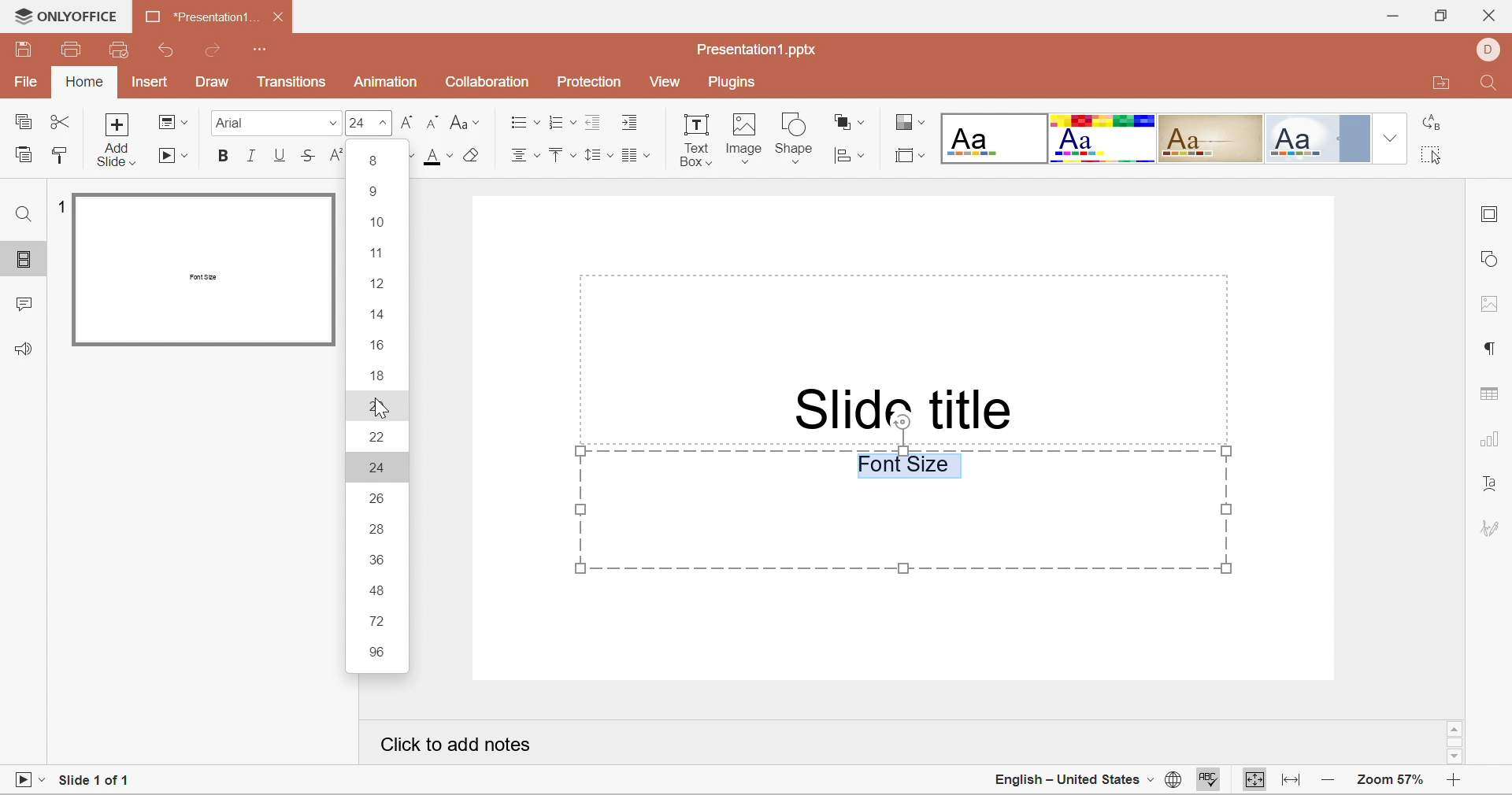 The height and width of the screenshot is (795, 1512). I want to click on Slide 1 of 1, so click(96, 777).